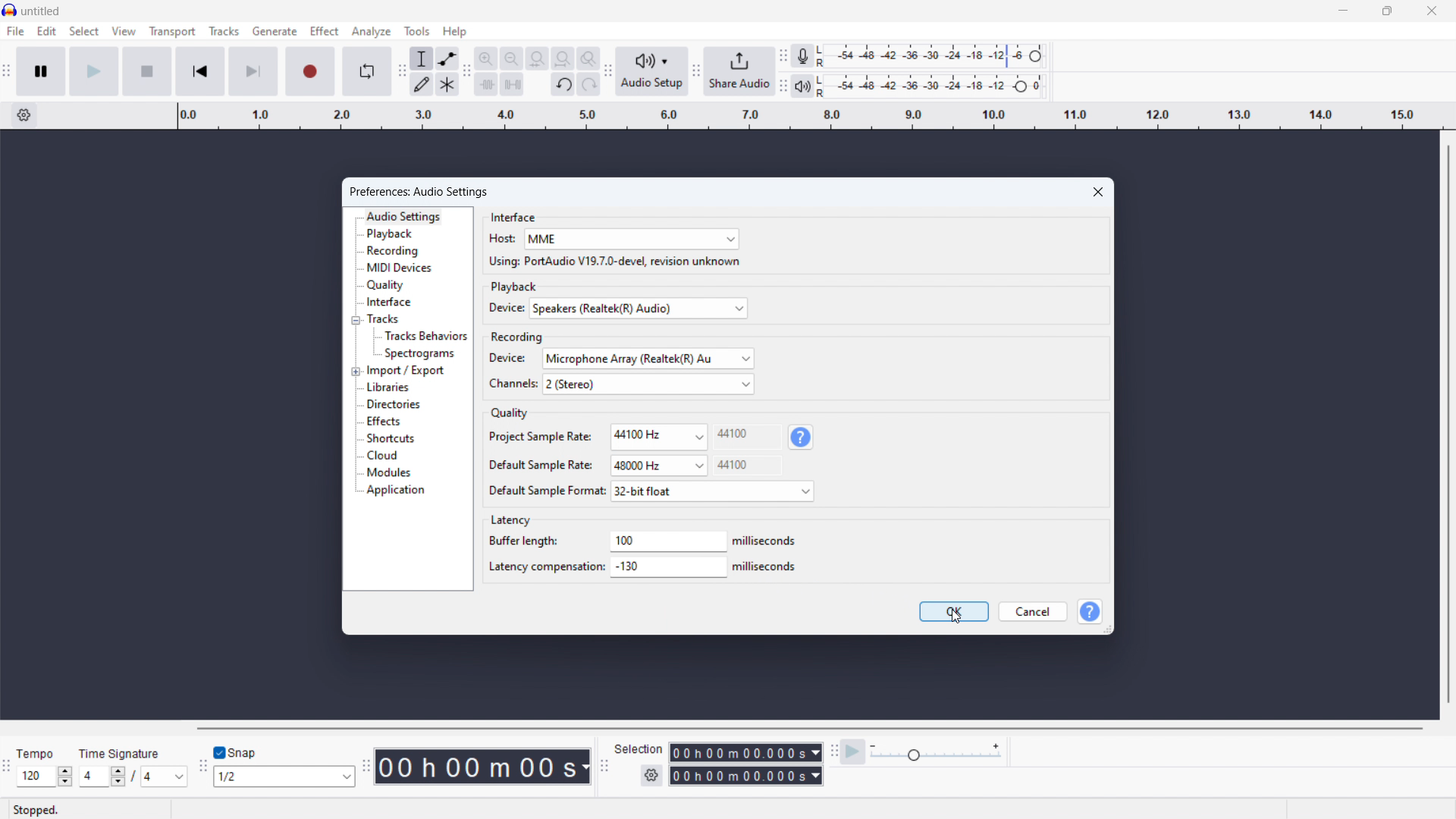 The width and height of the screenshot is (1456, 819). What do you see at coordinates (853, 752) in the screenshot?
I see `play at speed` at bounding box center [853, 752].